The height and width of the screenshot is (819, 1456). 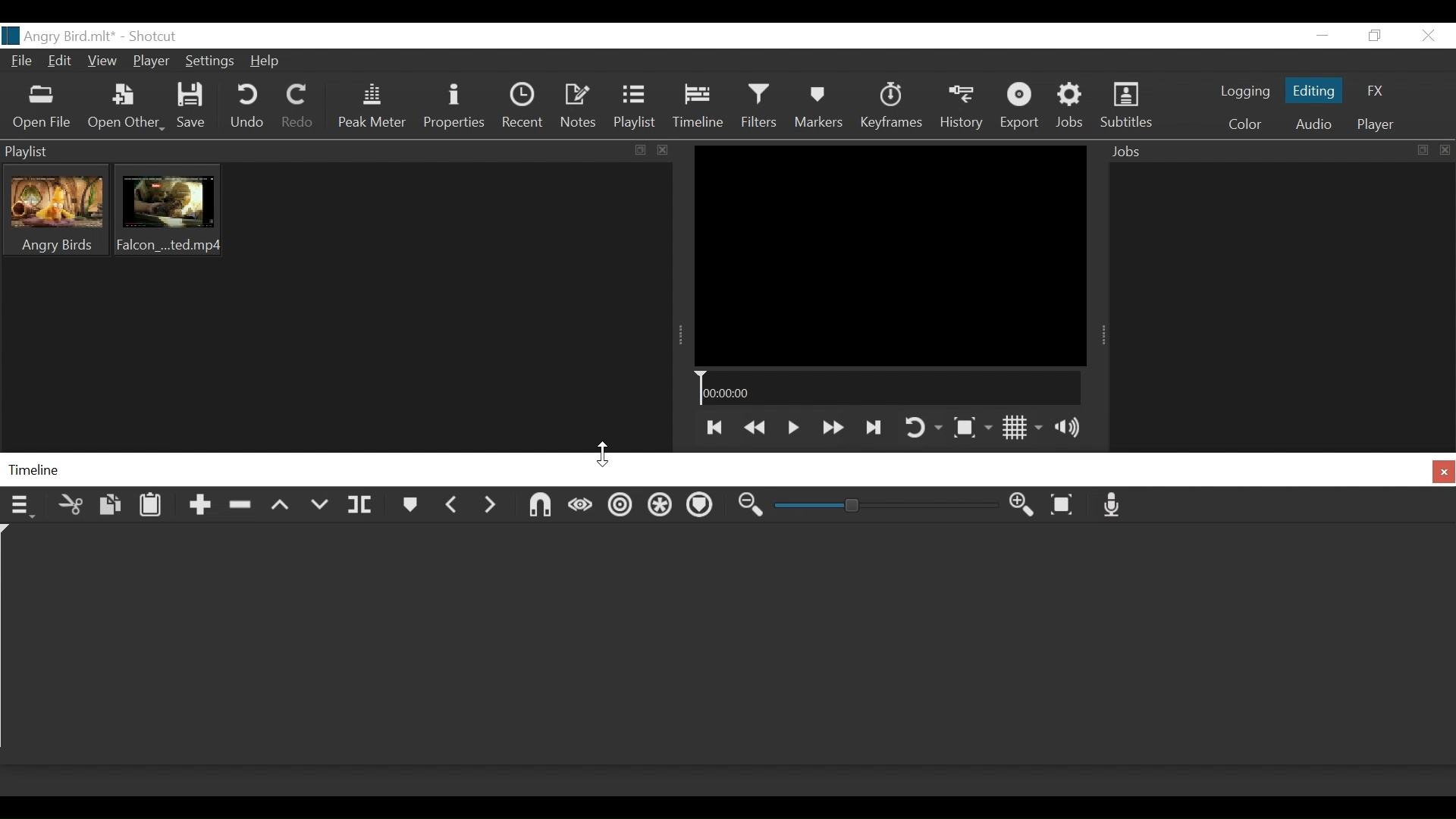 What do you see at coordinates (70, 505) in the screenshot?
I see `Cut` at bounding box center [70, 505].